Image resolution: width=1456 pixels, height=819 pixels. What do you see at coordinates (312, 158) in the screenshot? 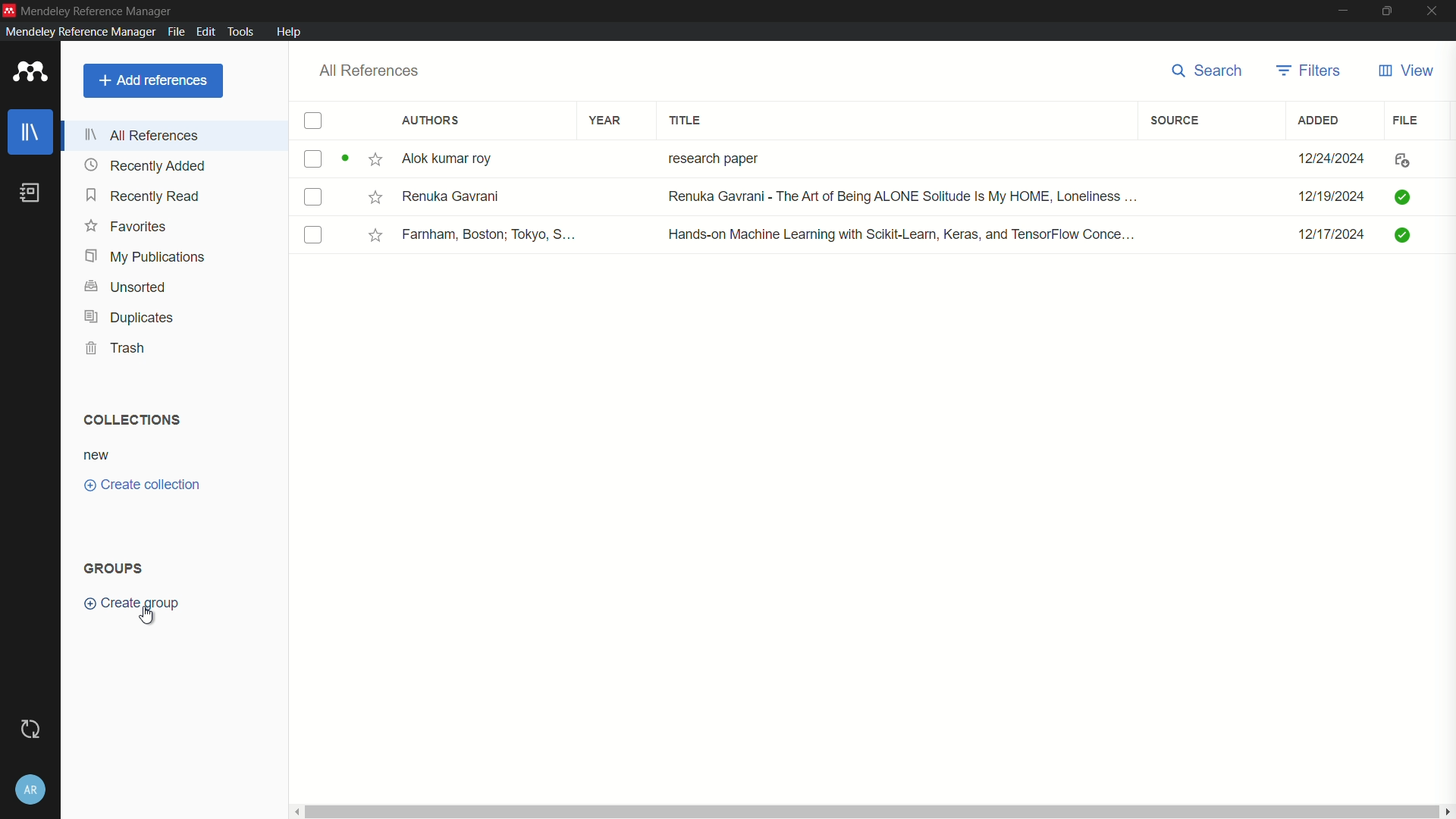
I see `book-1` at bounding box center [312, 158].